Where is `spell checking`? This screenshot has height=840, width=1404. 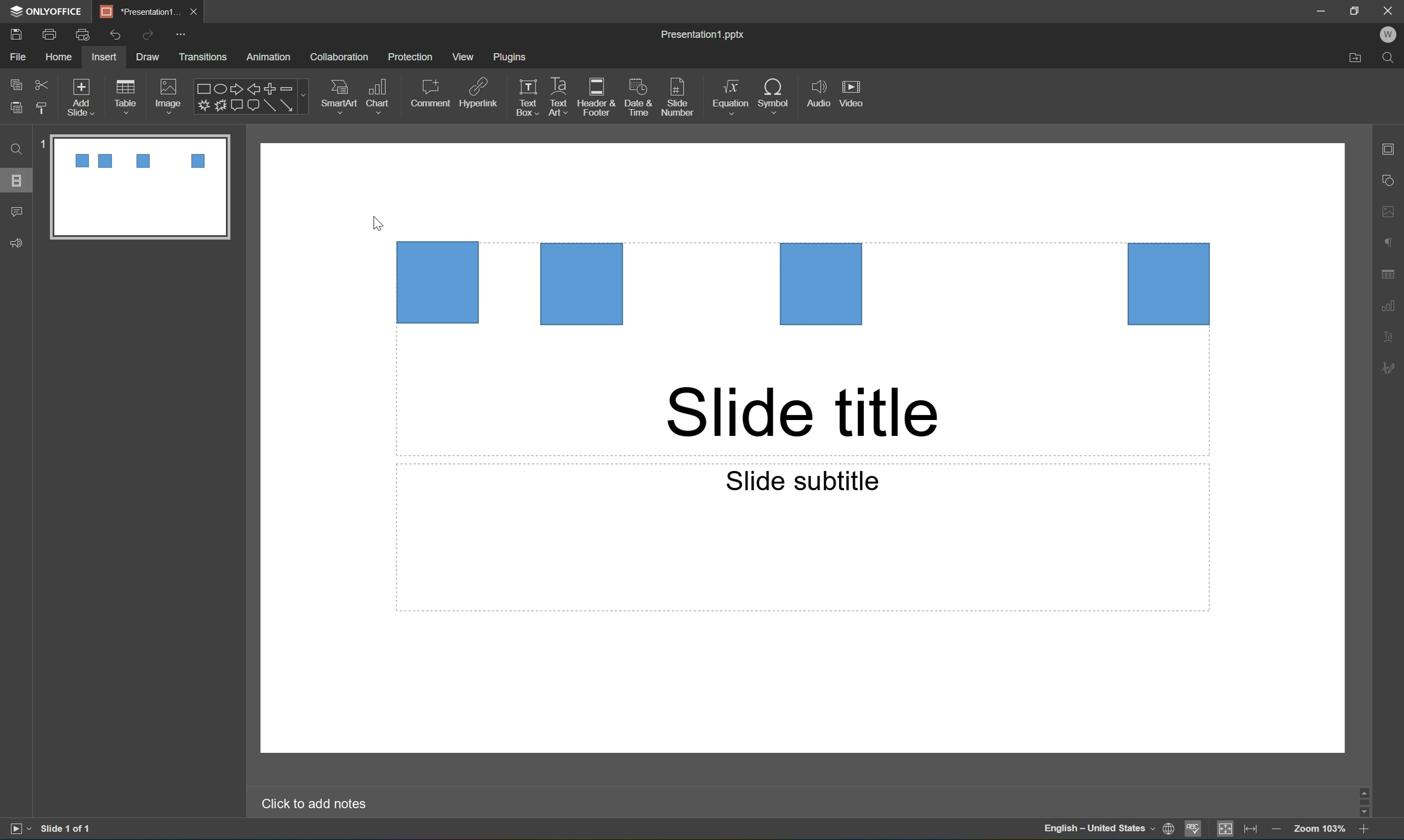
spell checking is located at coordinates (1195, 830).